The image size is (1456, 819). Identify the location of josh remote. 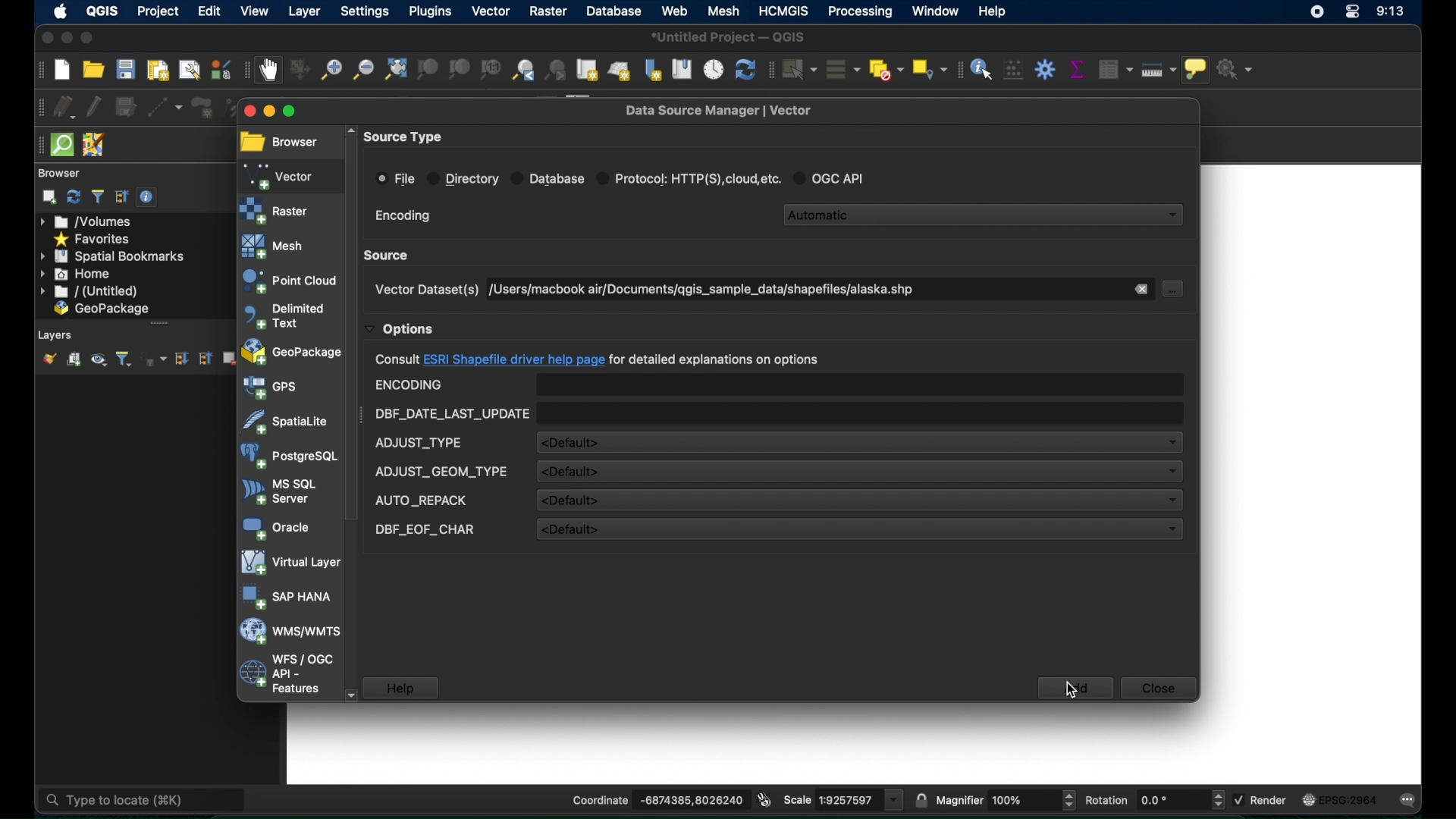
(94, 143).